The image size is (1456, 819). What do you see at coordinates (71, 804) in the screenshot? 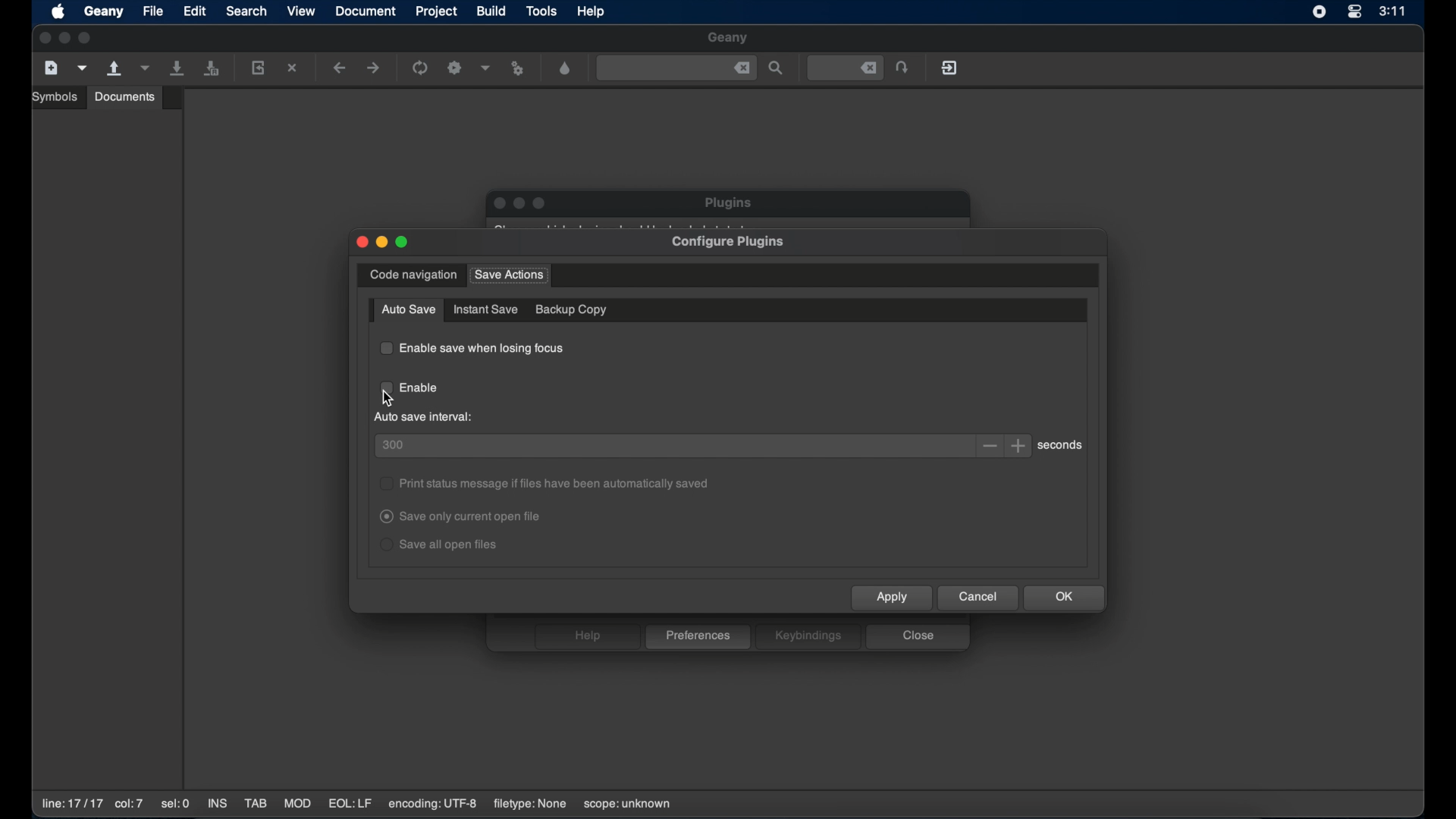
I see `line:17/17` at bounding box center [71, 804].